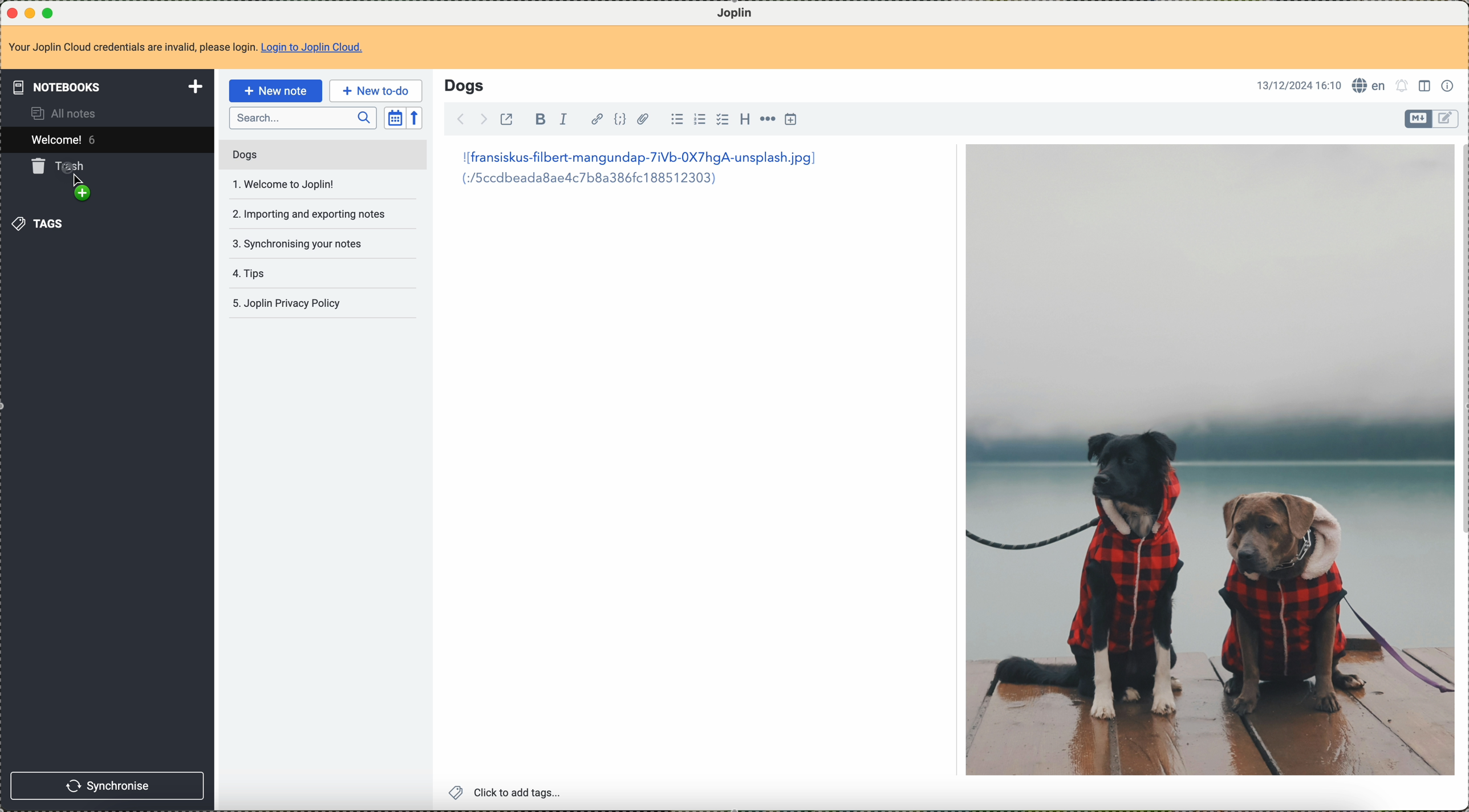 The height and width of the screenshot is (812, 1469). I want to click on 13/12/2024 16:10, so click(1299, 85).